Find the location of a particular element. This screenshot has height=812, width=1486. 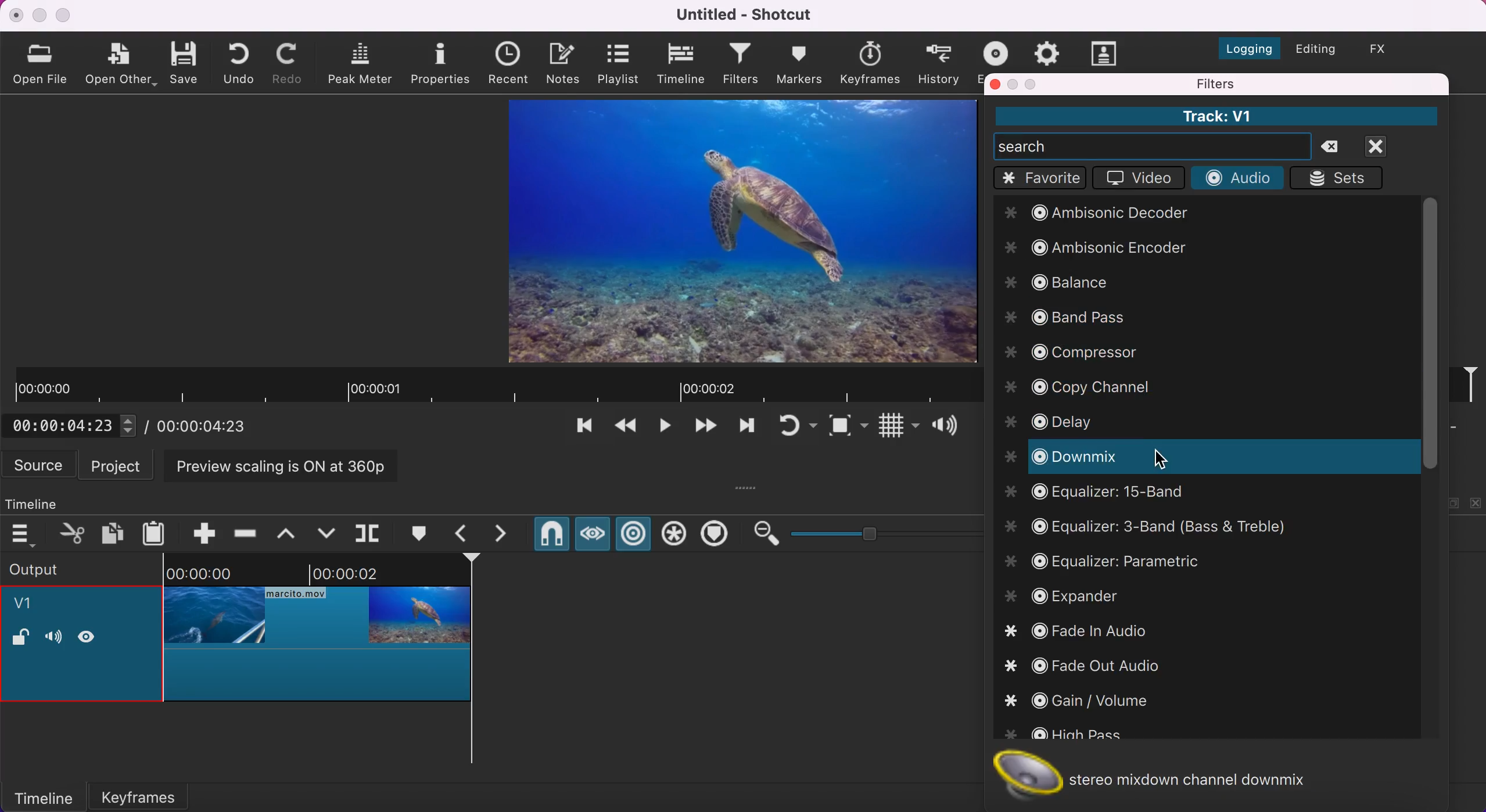

delete is located at coordinates (1336, 148).